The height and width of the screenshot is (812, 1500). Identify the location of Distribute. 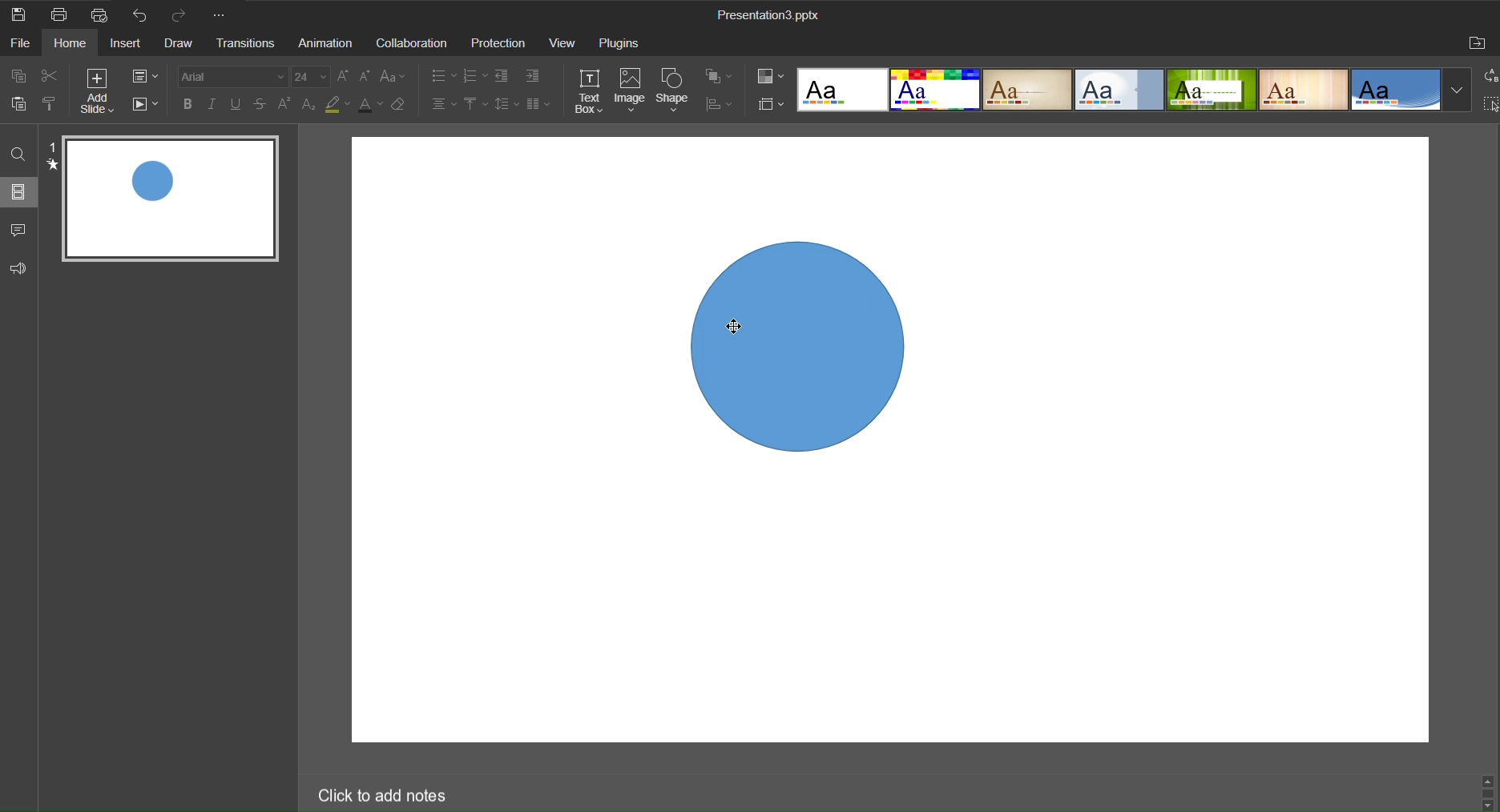
(720, 107).